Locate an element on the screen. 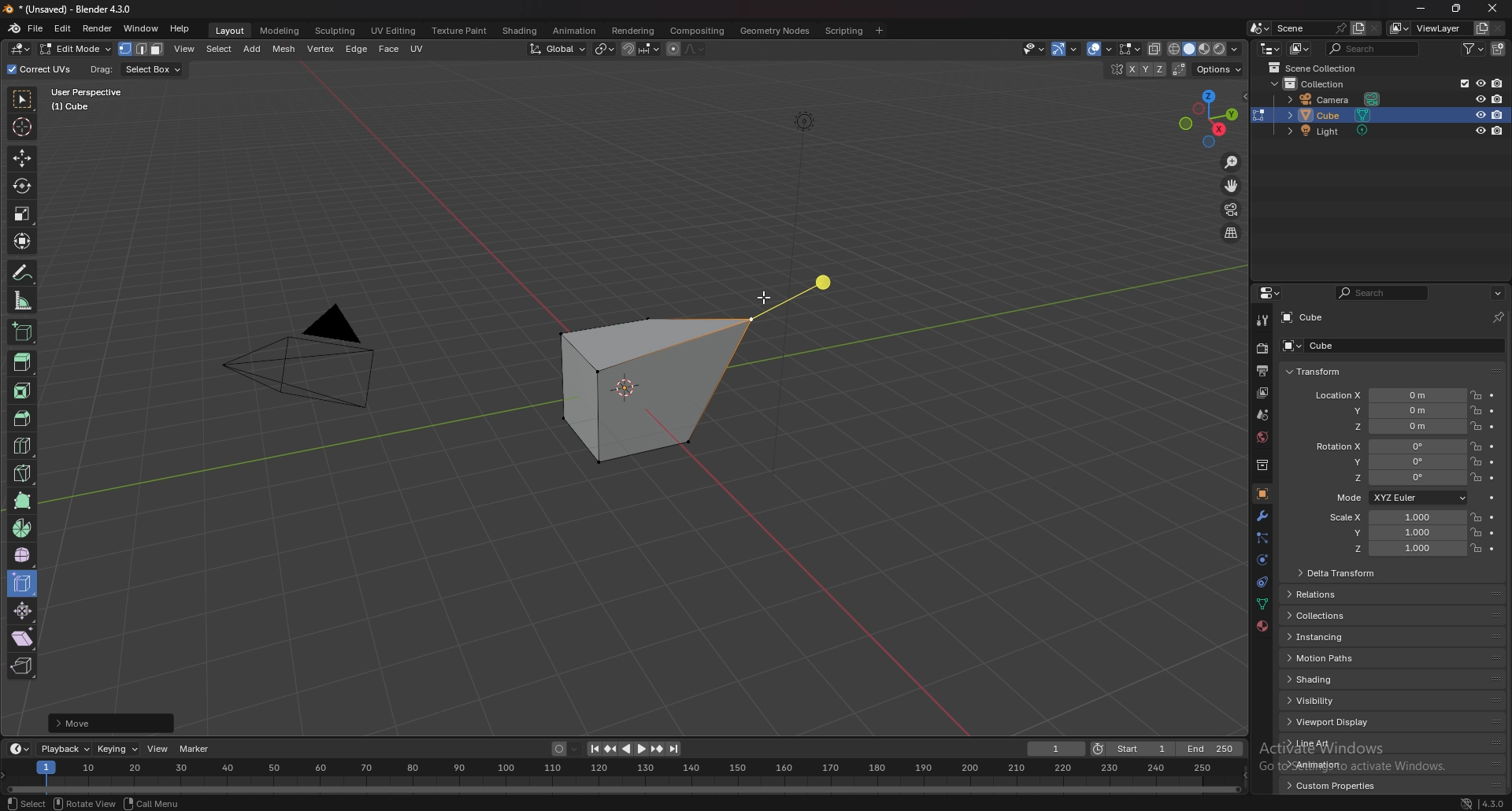 The height and width of the screenshot is (811, 1512). snapping is located at coordinates (641, 49).